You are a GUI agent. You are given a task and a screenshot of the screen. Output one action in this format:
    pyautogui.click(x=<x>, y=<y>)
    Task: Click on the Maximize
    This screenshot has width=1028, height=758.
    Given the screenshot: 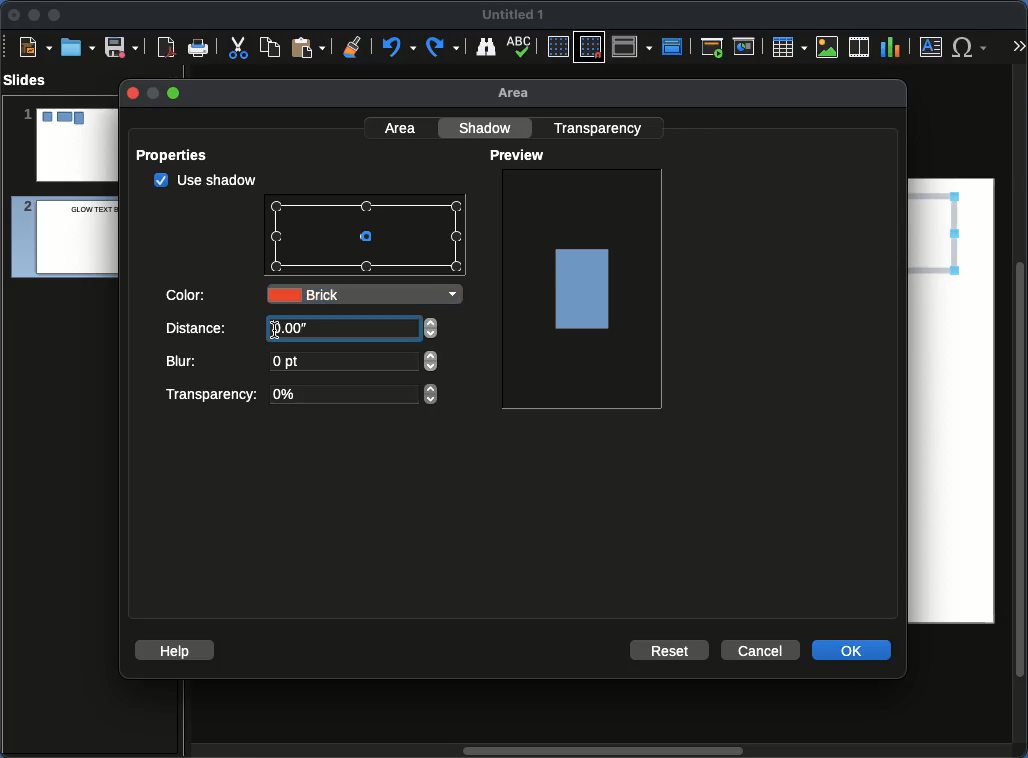 What is the action you would take?
    pyautogui.click(x=55, y=17)
    